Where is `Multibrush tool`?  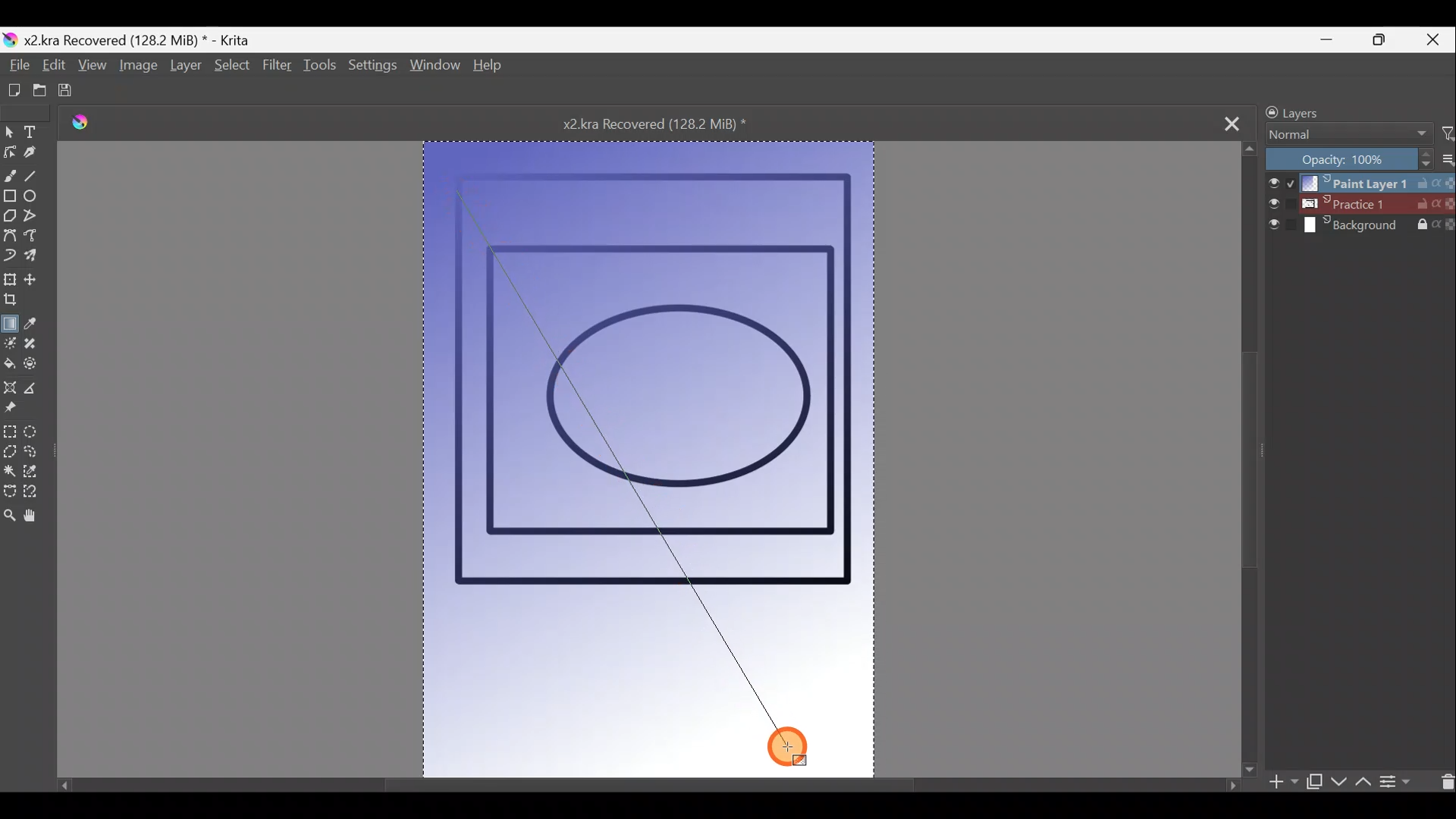
Multibrush tool is located at coordinates (36, 257).